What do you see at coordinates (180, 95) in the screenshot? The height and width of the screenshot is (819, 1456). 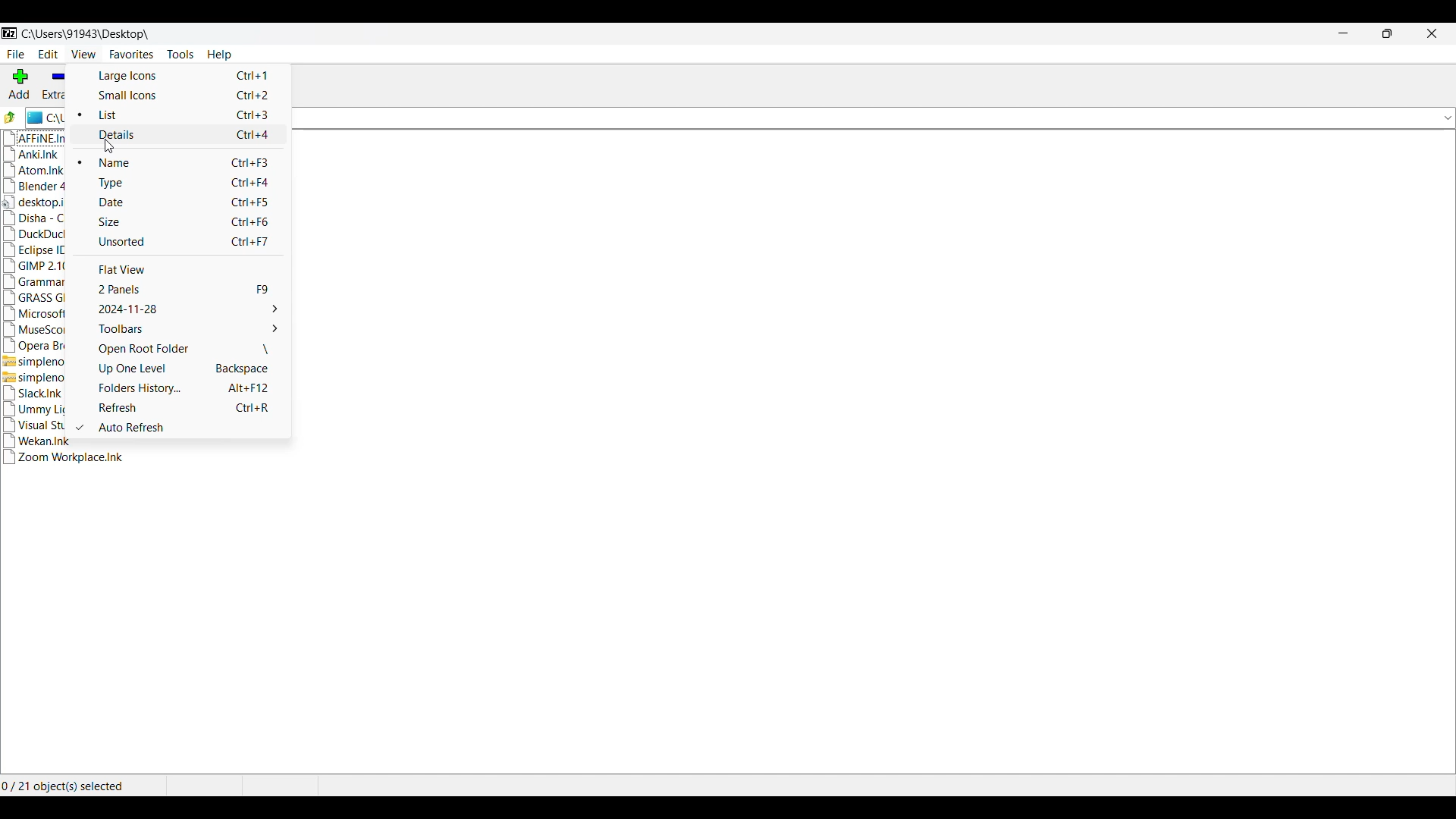 I see `Small icons` at bounding box center [180, 95].